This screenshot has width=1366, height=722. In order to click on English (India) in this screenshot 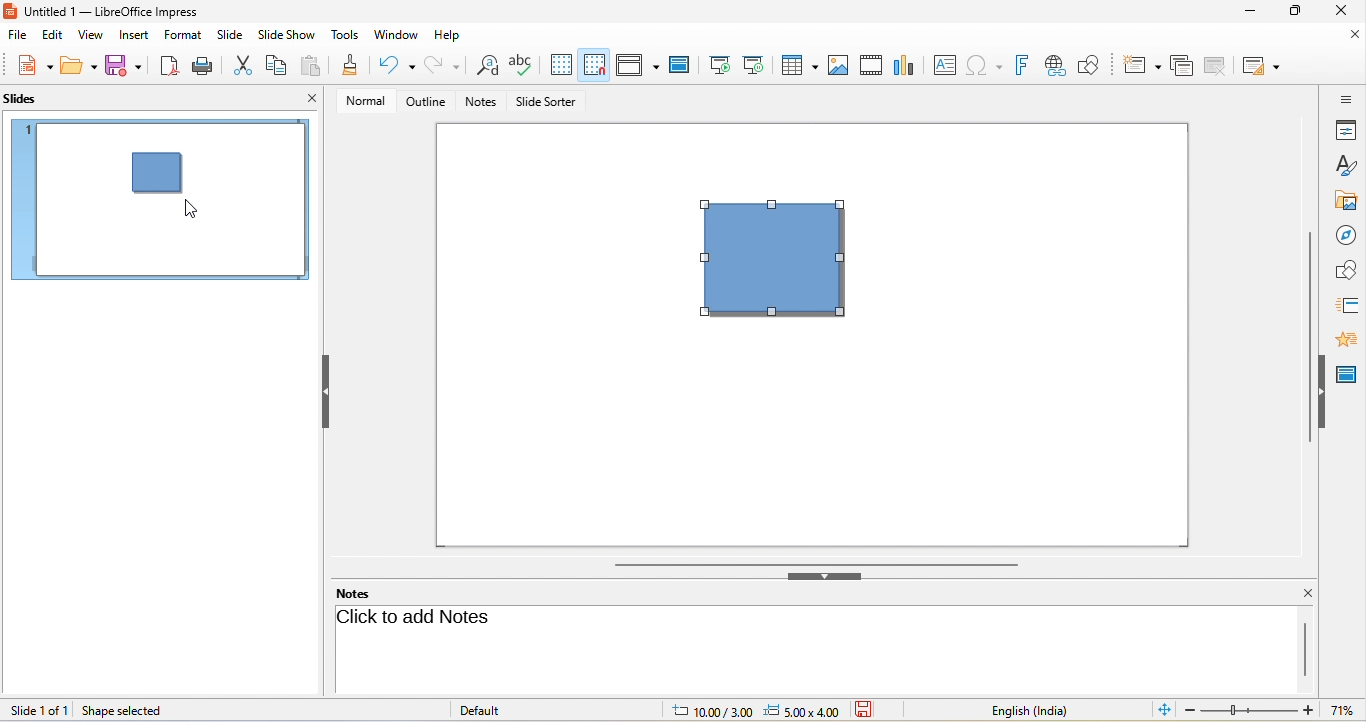, I will do `click(1018, 710)`.